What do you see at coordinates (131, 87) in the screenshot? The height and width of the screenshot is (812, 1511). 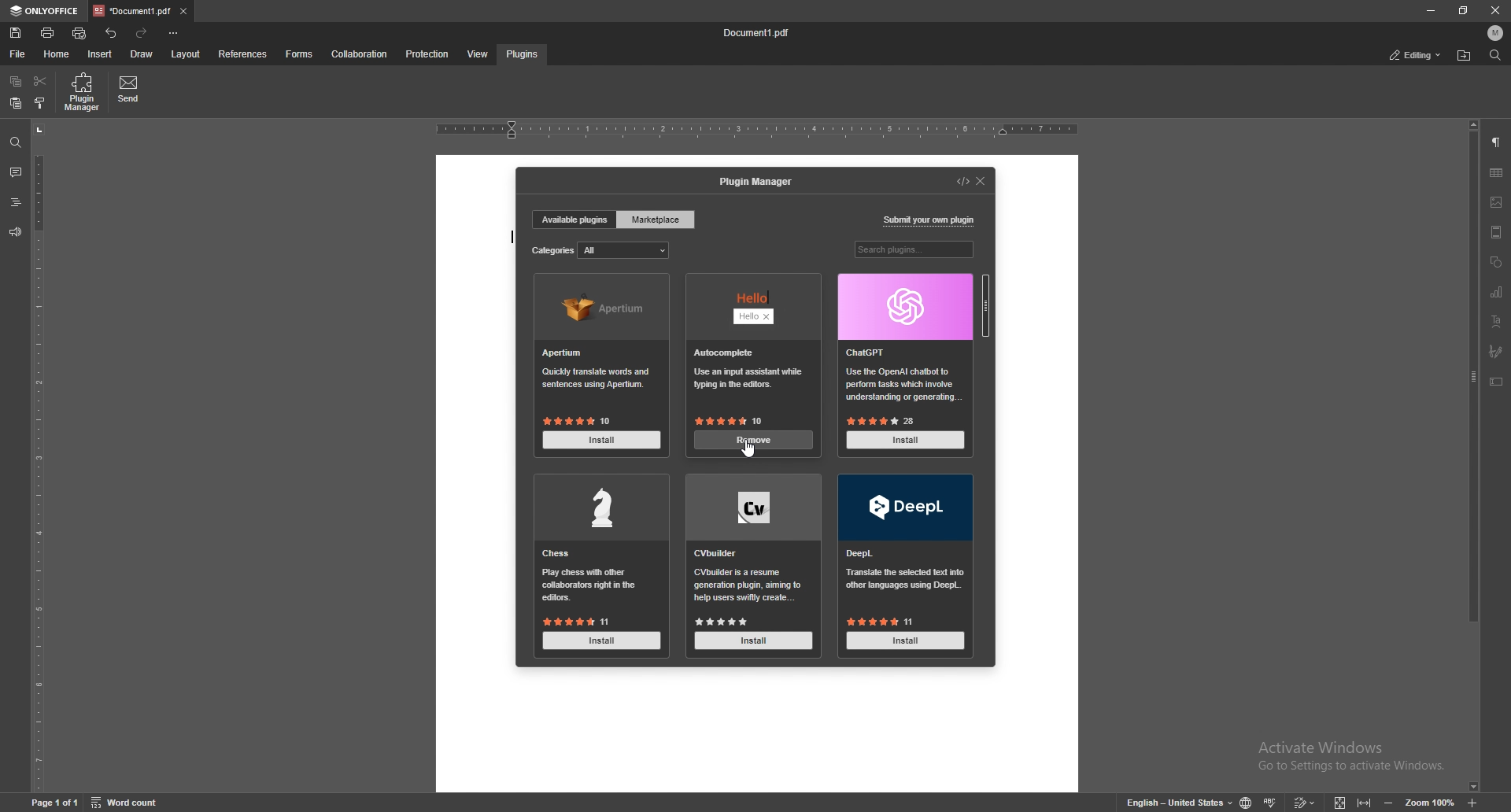 I see `send` at bounding box center [131, 87].